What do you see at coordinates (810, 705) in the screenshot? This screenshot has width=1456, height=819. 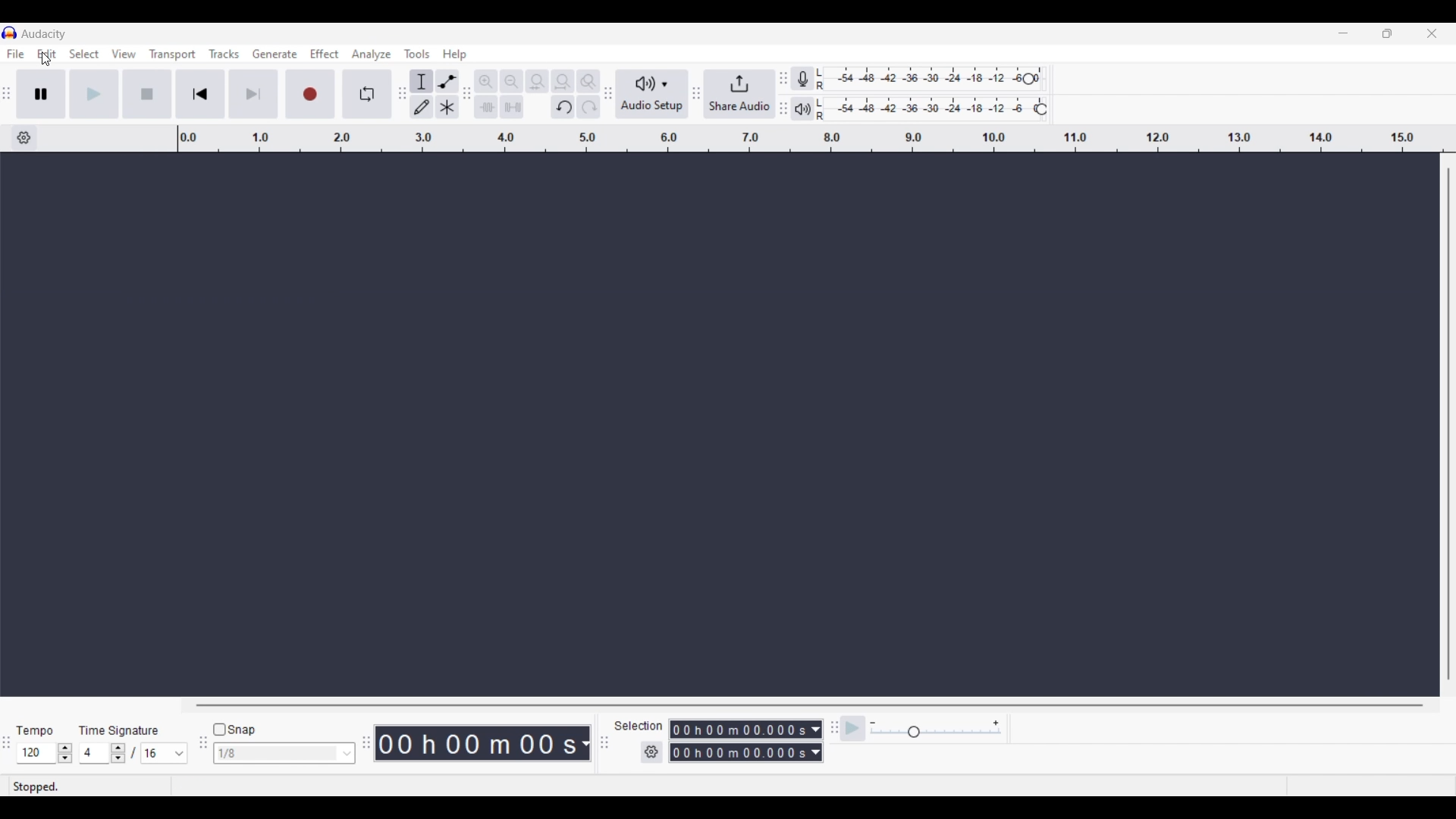 I see `Horizontal slide bar` at bounding box center [810, 705].